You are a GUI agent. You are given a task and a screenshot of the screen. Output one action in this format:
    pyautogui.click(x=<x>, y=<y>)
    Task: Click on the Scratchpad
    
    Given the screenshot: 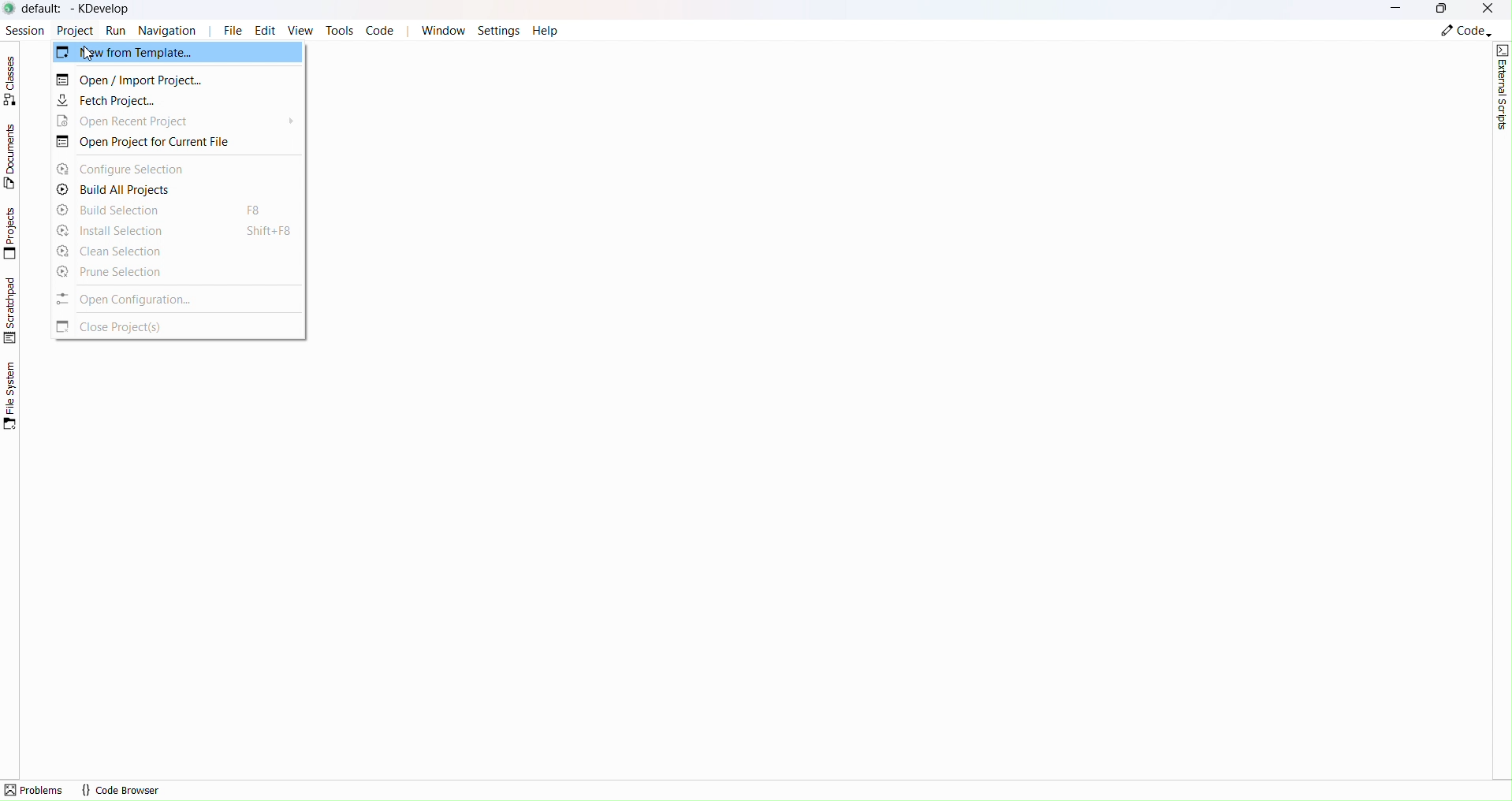 What is the action you would take?
    pyautogui.click(x=12, y=310)
    